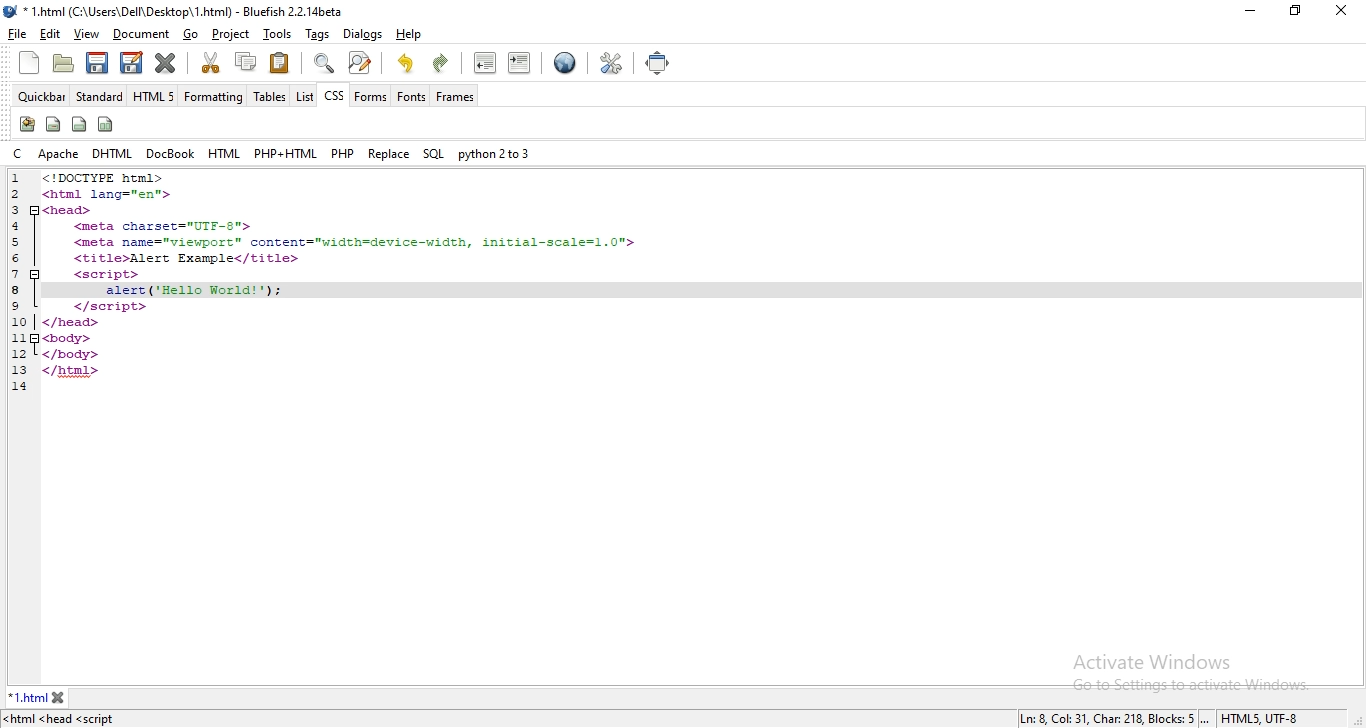 Image resolution: width=1366 pixels, height=728 pixels. I want to click on forms, so click(370, 95).